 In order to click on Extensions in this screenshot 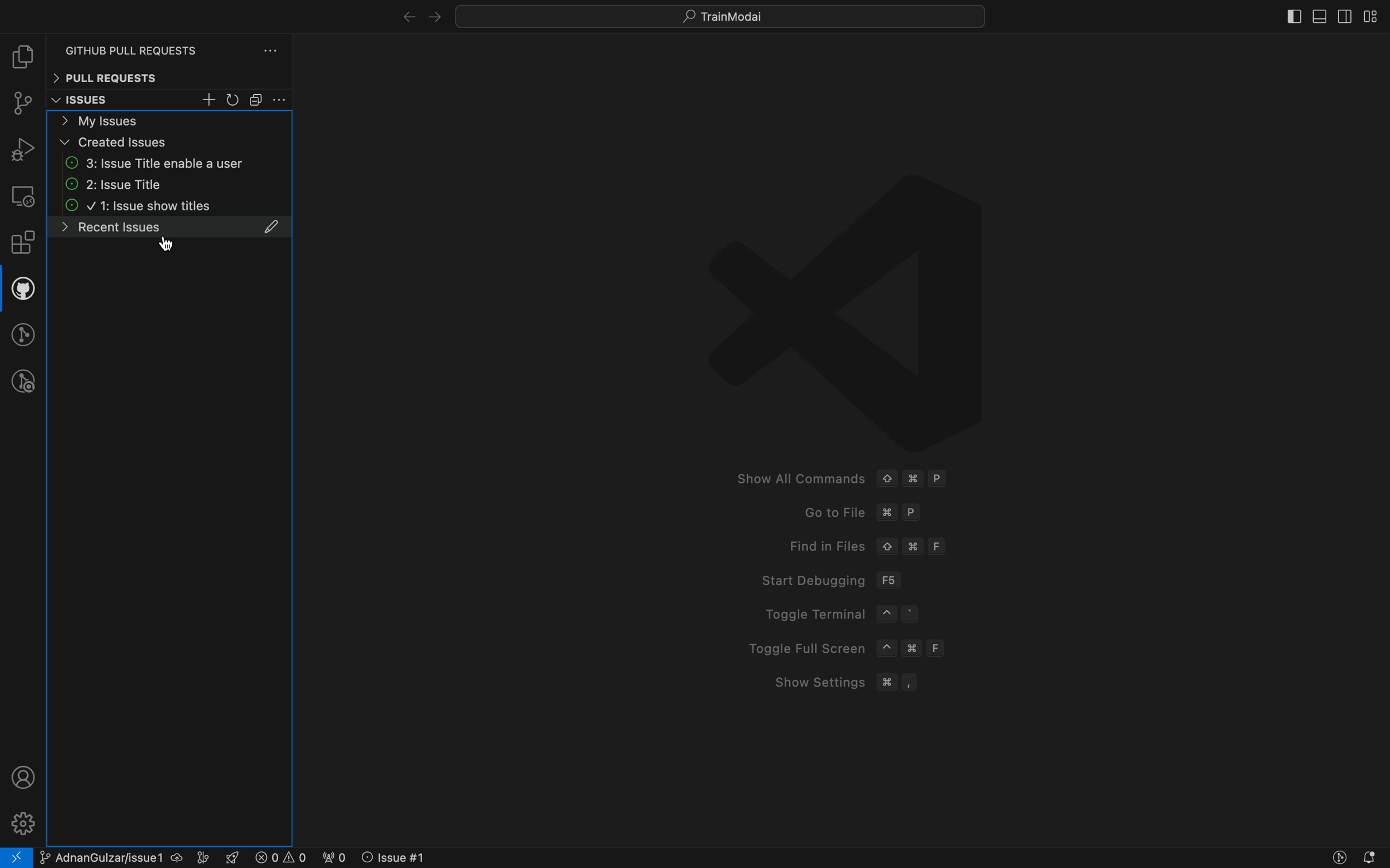, I will do `click(23, 245)`.